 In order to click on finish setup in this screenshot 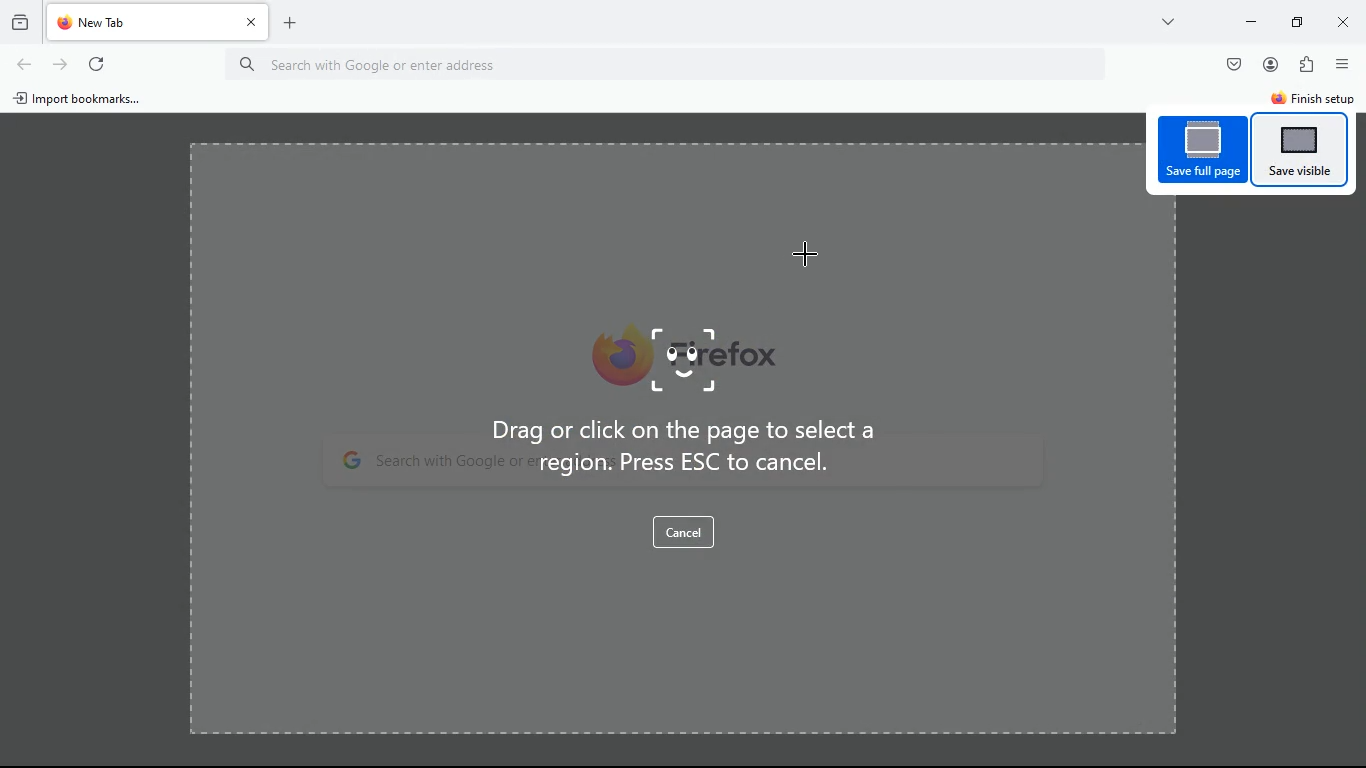, I will do `click(1314, 98)`.